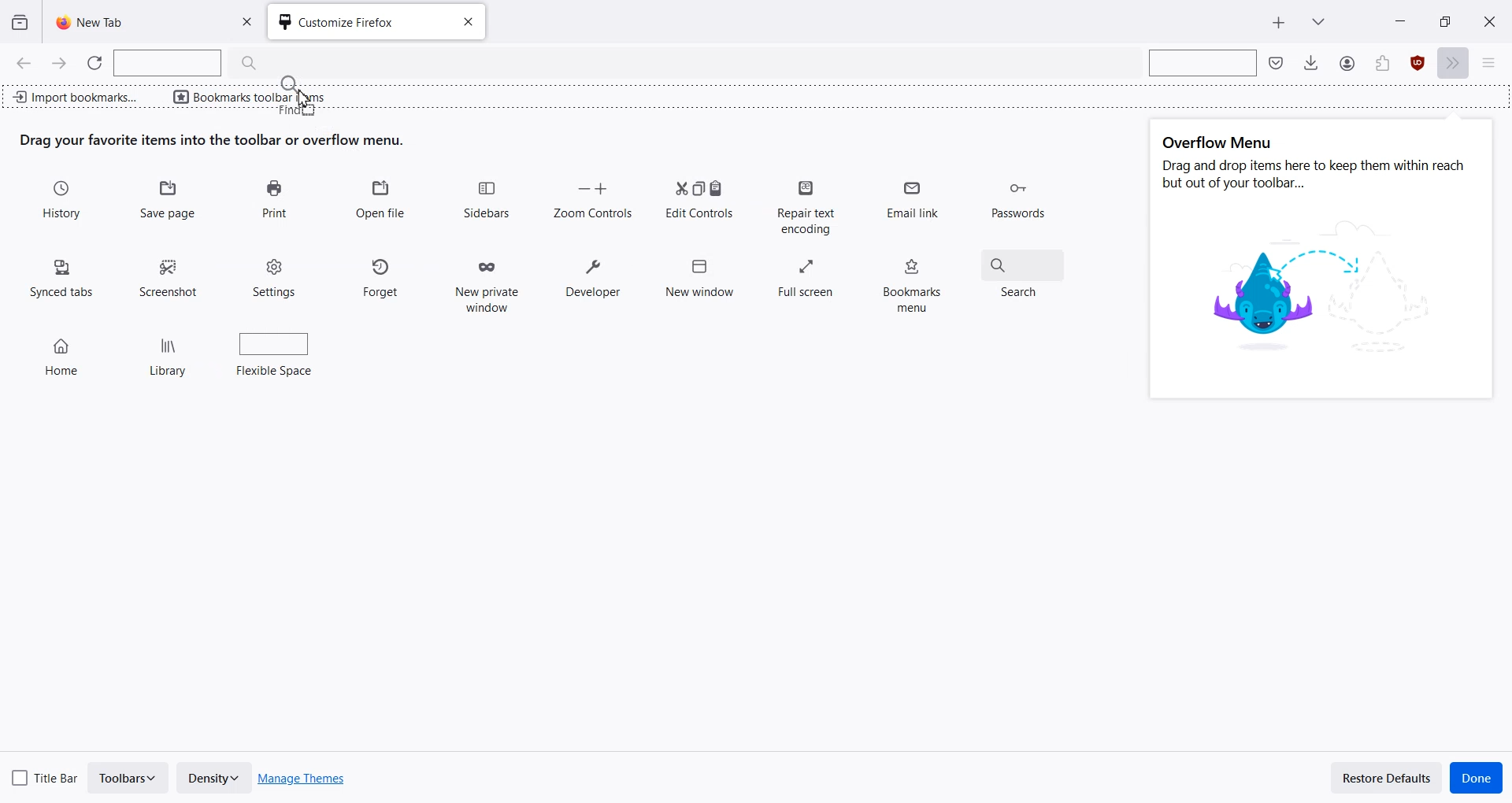 This screenshot has width=1512, height=803. I want to click on image, so click(1317, 288).